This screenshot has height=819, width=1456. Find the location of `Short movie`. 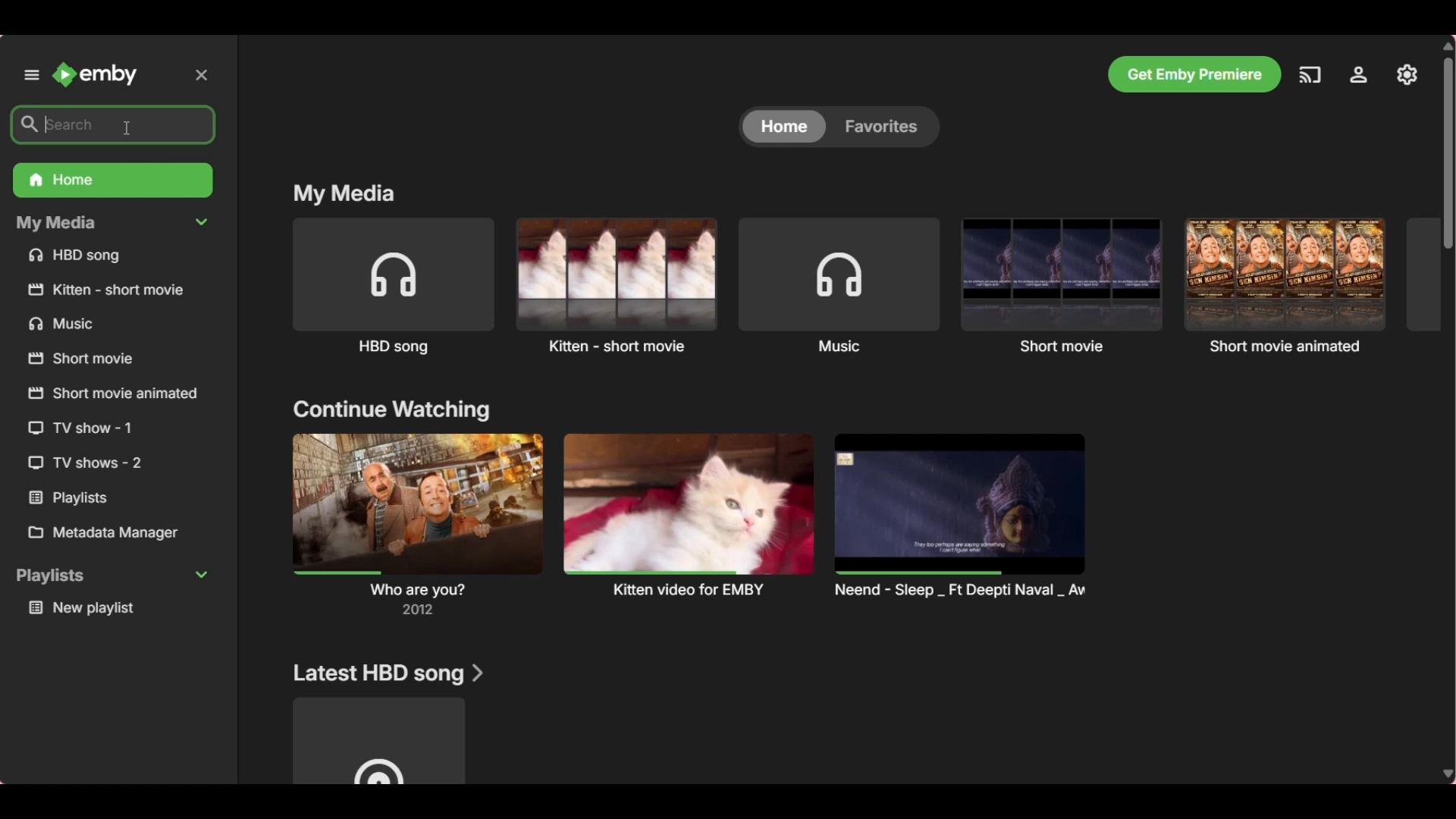

Short movie is located at coordinates (1062, 285).